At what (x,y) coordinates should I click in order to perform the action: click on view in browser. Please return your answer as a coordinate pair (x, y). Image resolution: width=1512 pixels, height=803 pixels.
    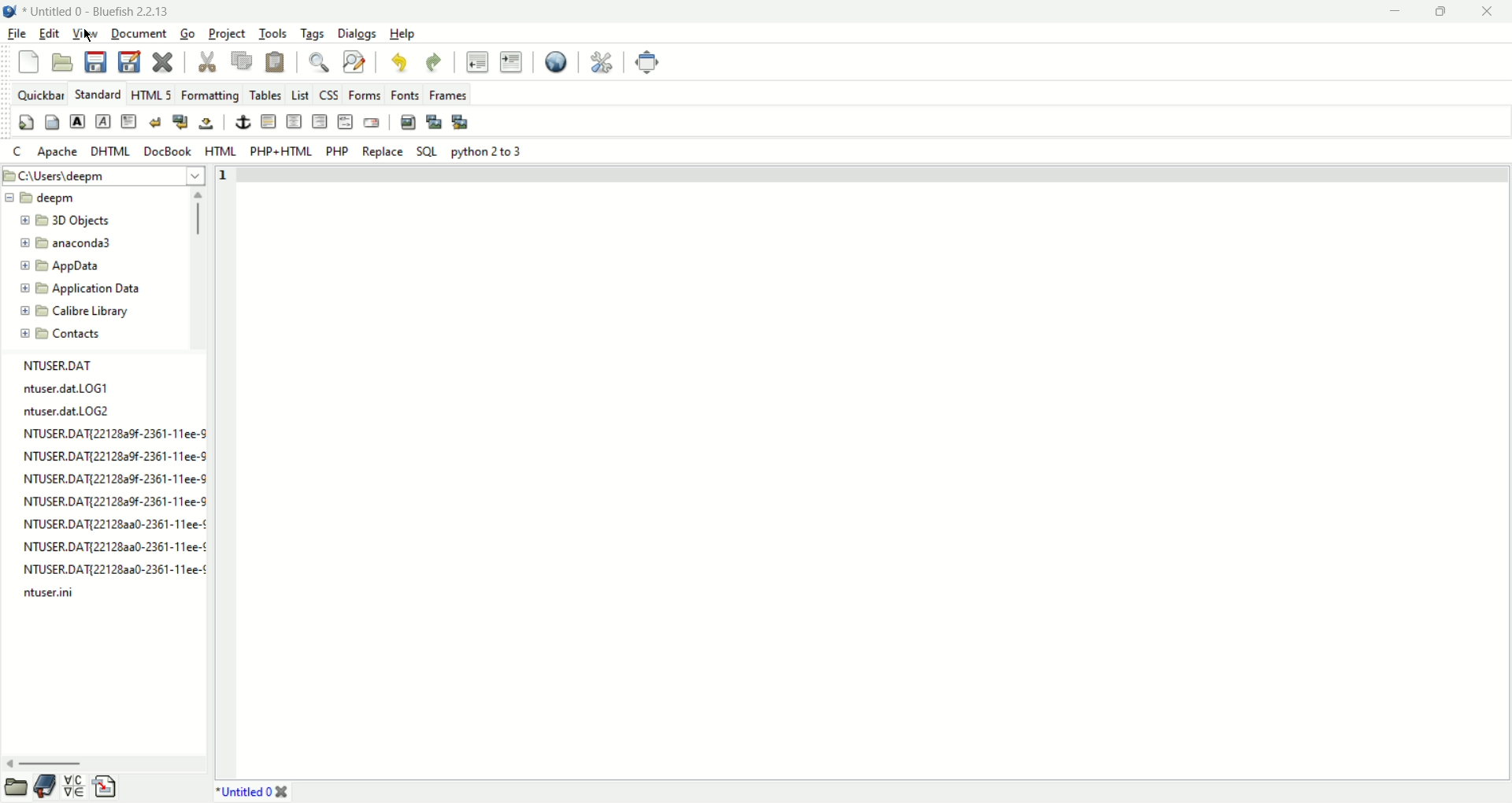
    Looking at the image, I should click on (554, 61).